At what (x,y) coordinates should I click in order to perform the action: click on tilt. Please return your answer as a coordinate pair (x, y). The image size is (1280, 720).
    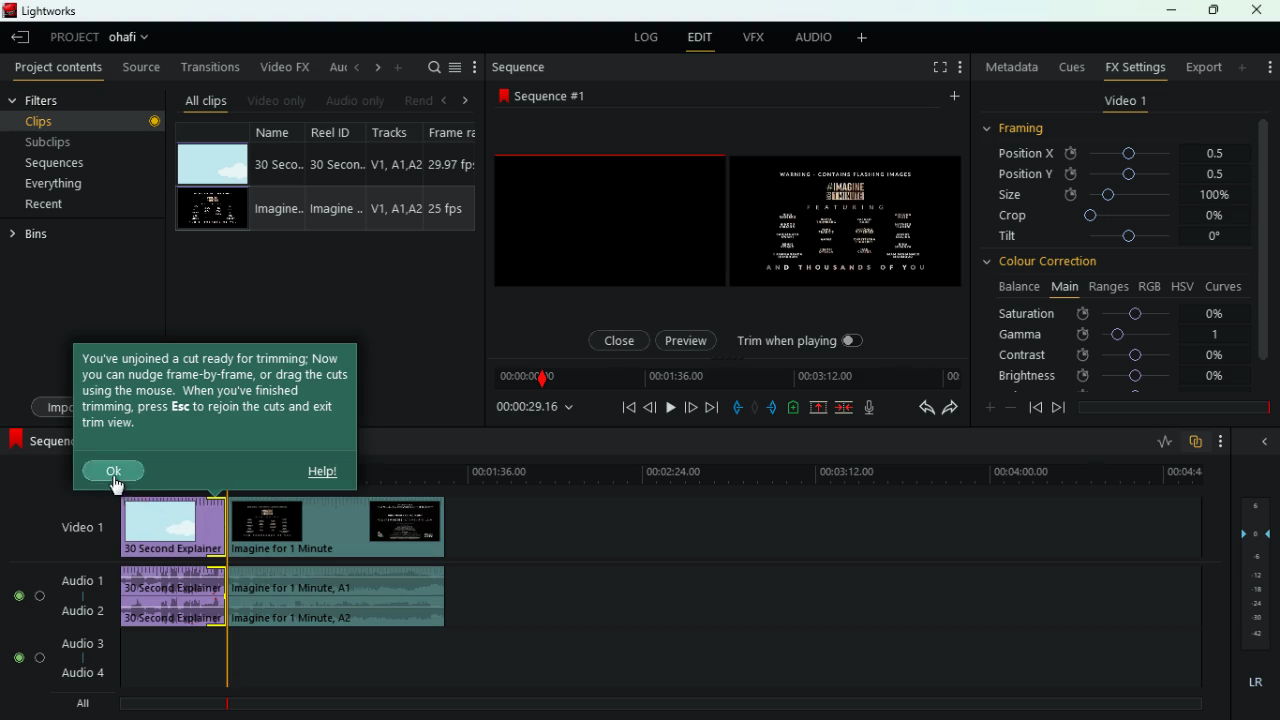
    Looking at the image, I should click on (1113, 238).